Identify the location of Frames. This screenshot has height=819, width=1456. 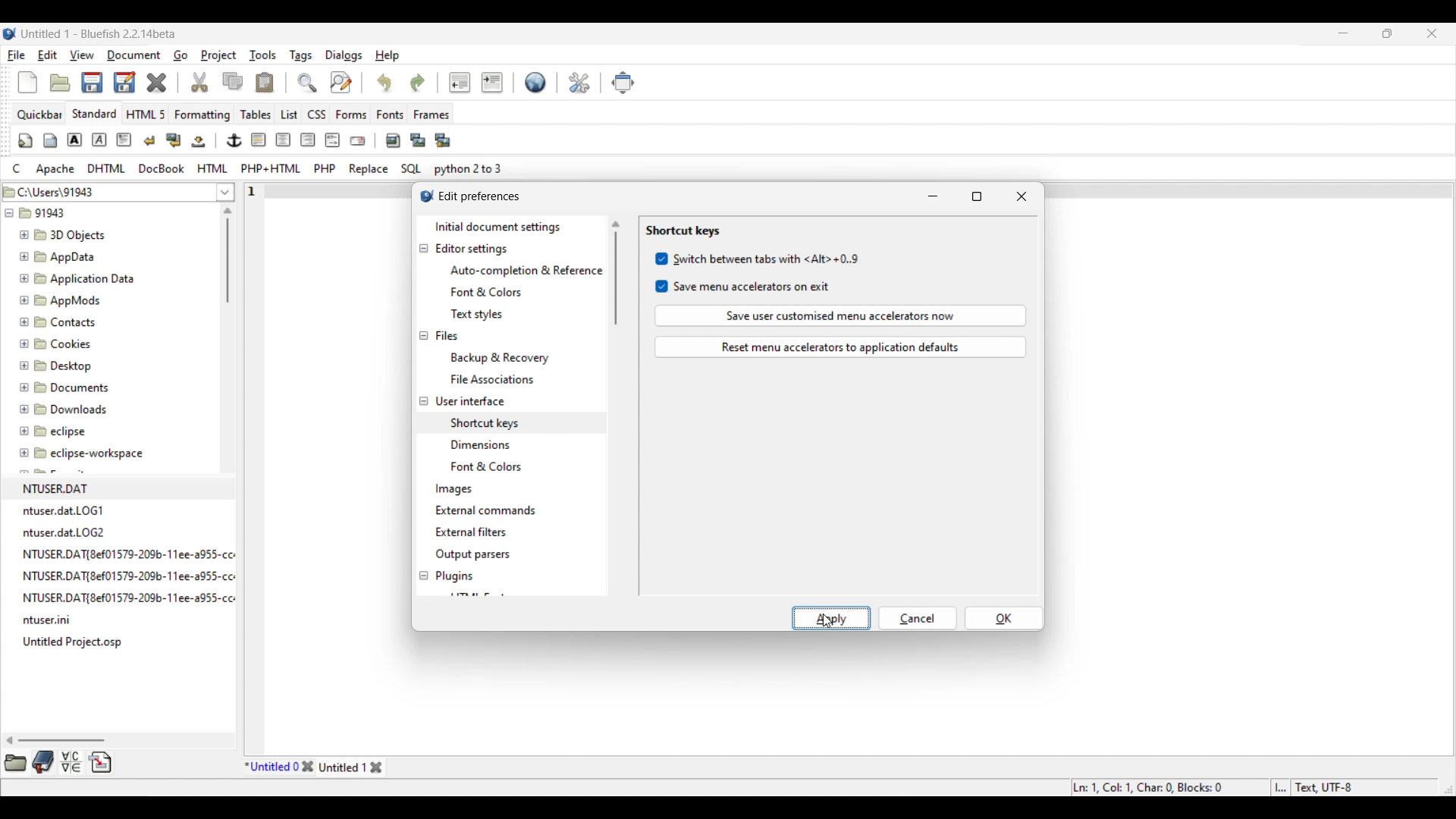
(432, 115).